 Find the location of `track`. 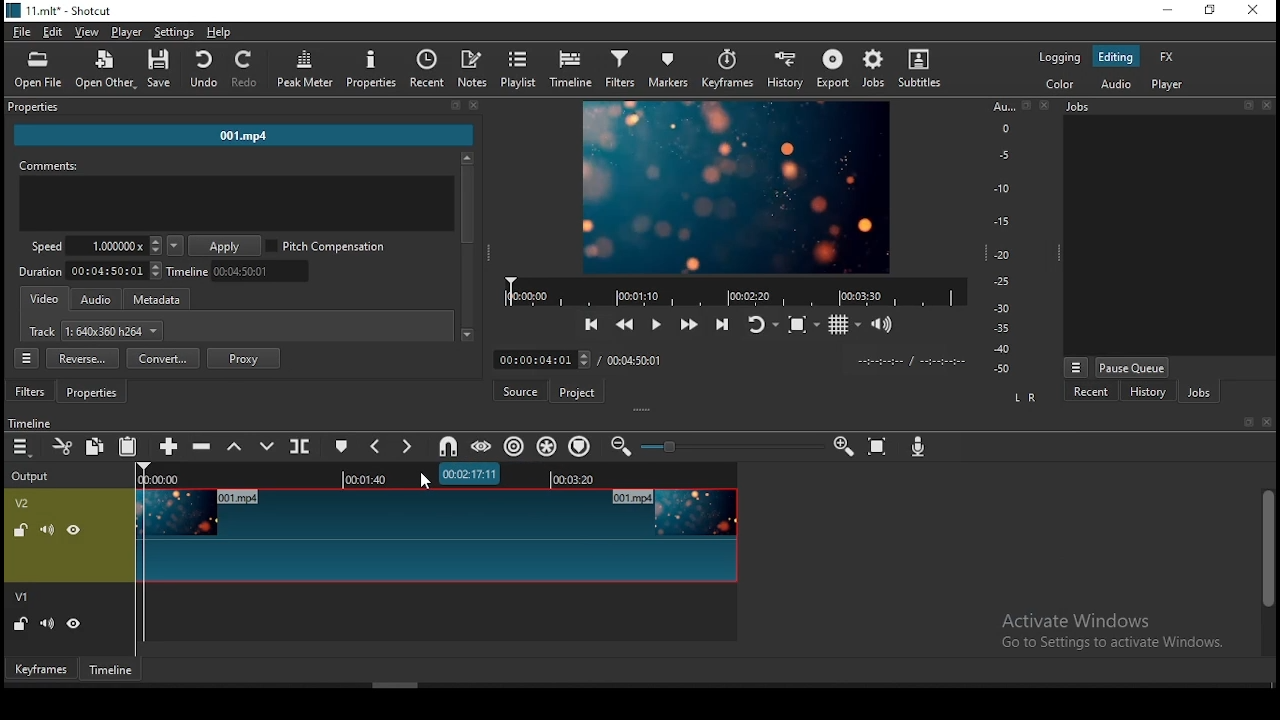

track is located at coordinates (97, 333).